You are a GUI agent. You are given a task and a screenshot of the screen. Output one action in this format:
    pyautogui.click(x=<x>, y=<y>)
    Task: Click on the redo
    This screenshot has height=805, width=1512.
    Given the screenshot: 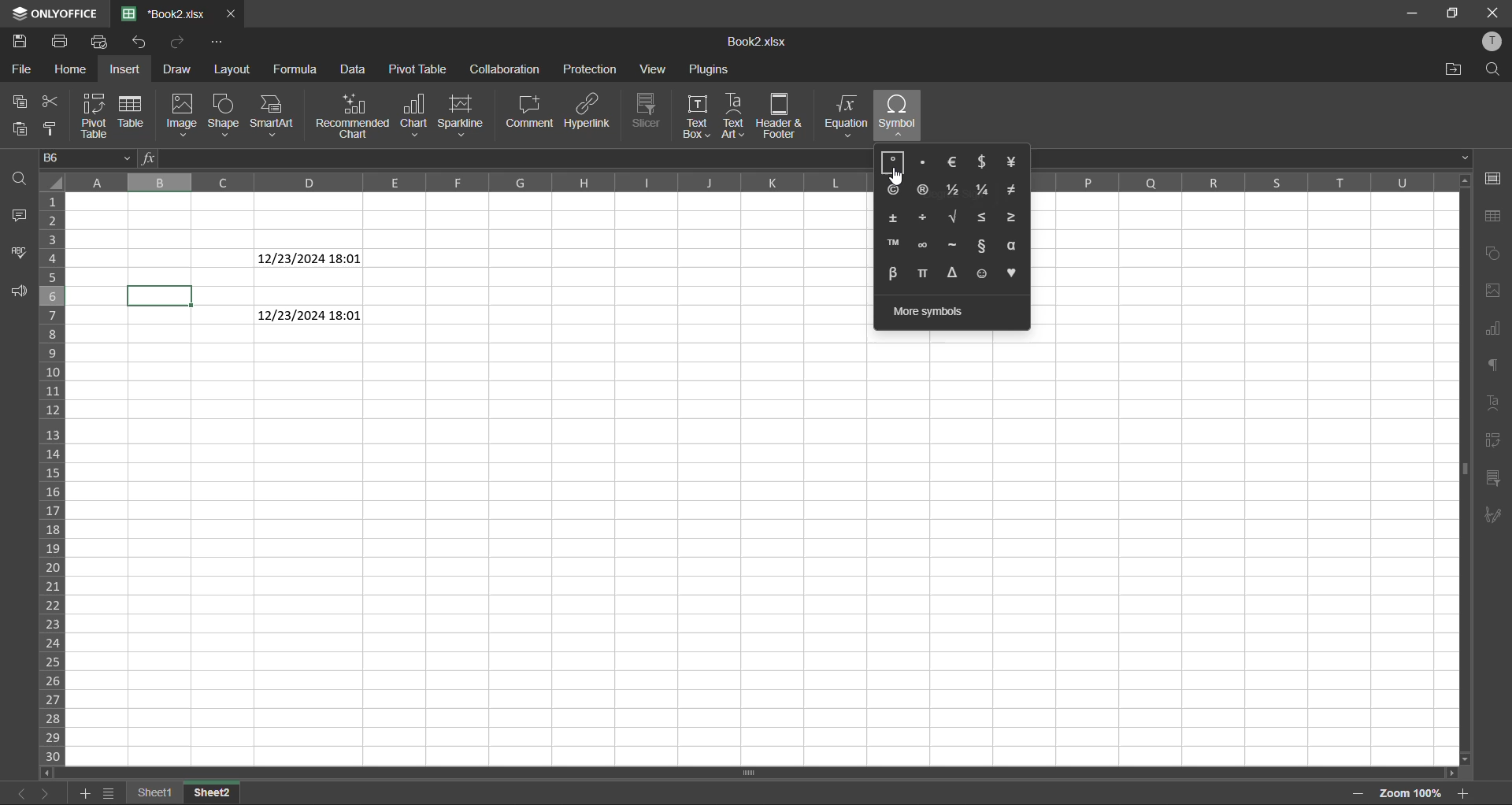 What is the action you would take?
    pyautogui.click(x=142, y=43)
    